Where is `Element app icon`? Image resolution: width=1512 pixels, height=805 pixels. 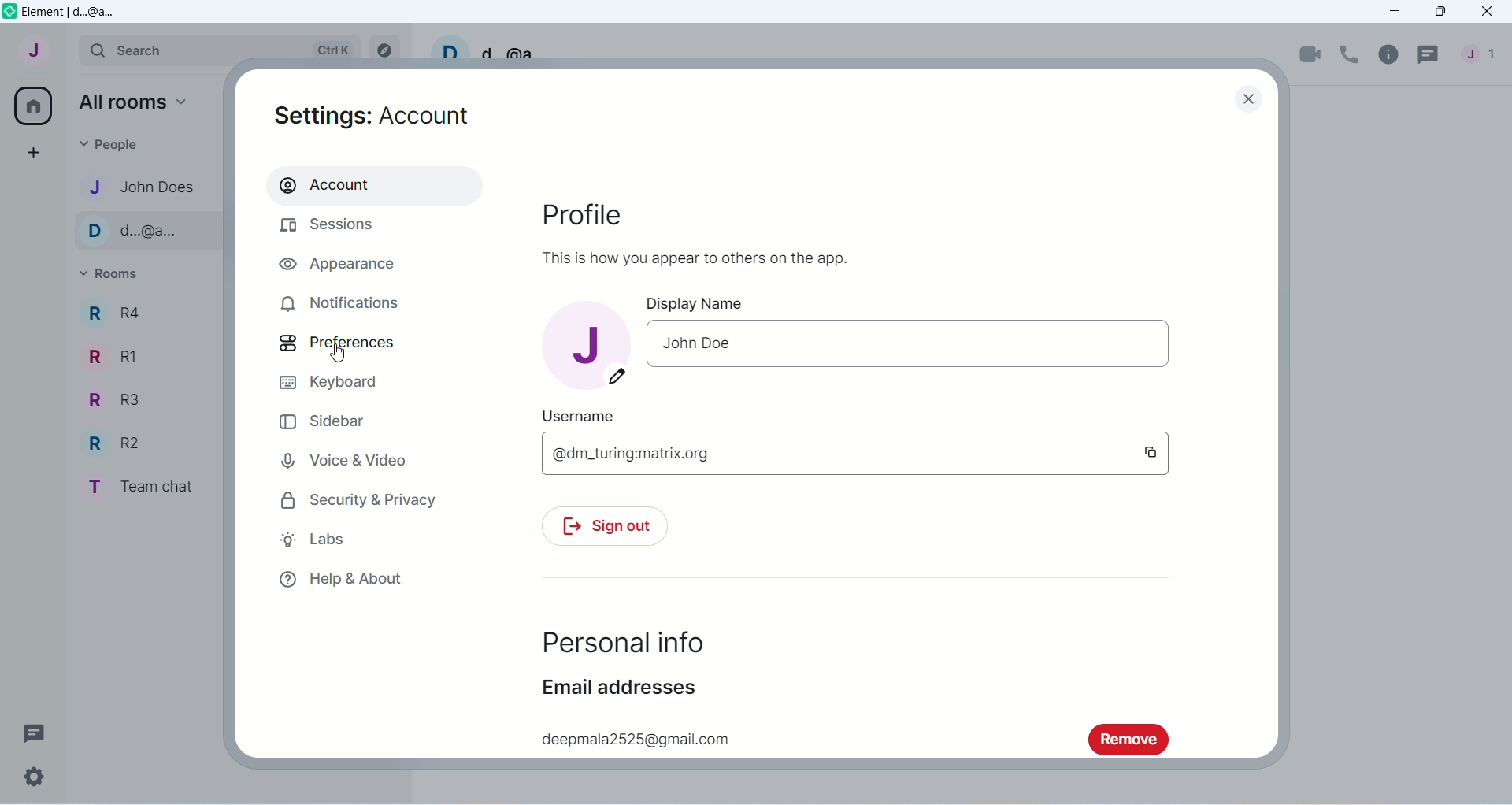 Element app icon is located at coordinates (10, 12).